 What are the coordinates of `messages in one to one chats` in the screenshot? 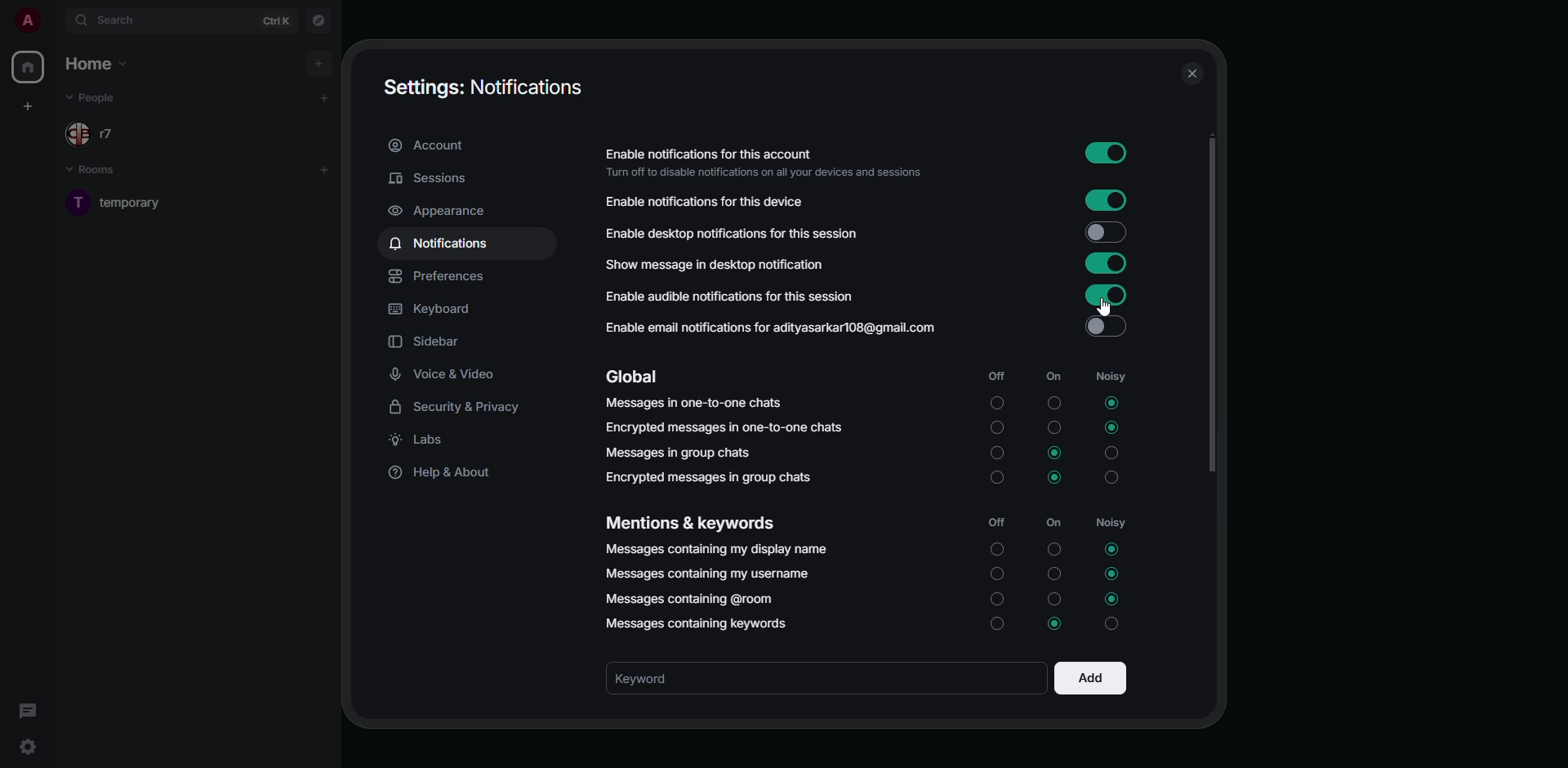 It's located at (693, 404).